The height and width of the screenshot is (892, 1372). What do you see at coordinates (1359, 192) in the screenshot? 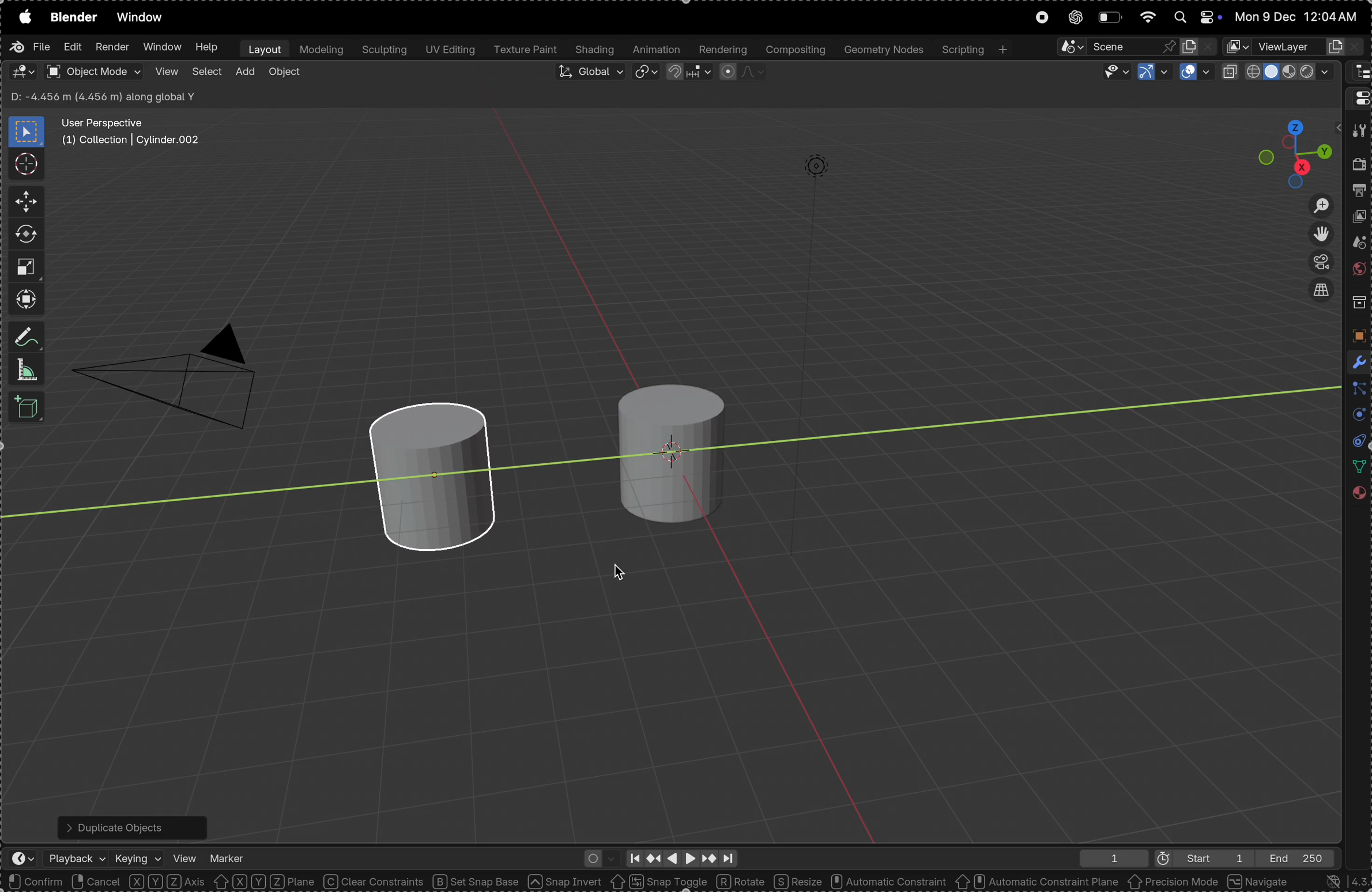
I see `out put` at bounding box center [1359, 192].